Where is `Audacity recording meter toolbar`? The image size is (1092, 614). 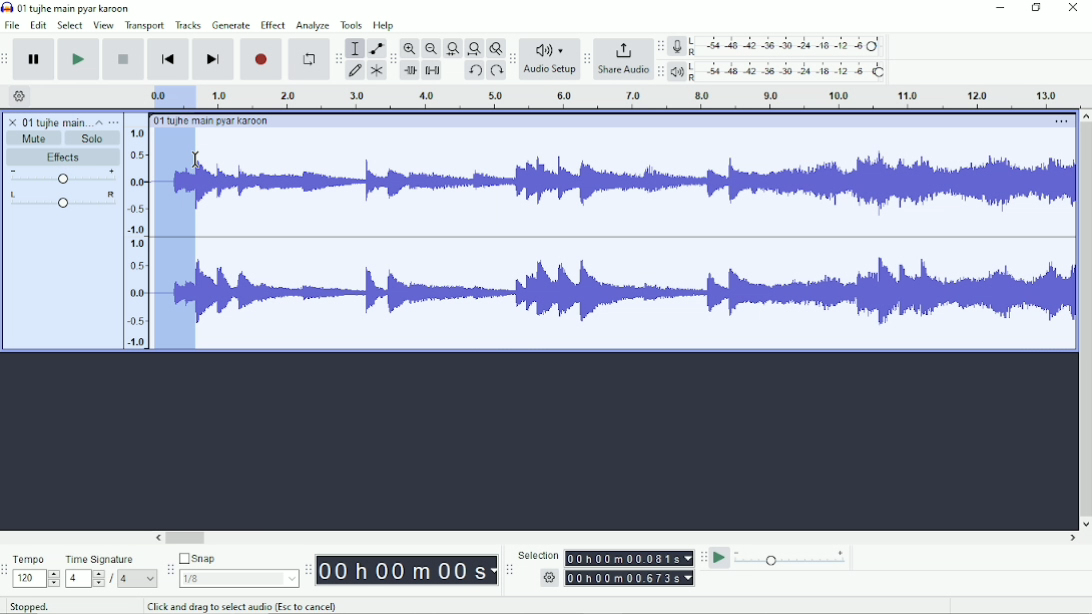
Audacity recording meter toolbar is located at coordinates (660, 47).